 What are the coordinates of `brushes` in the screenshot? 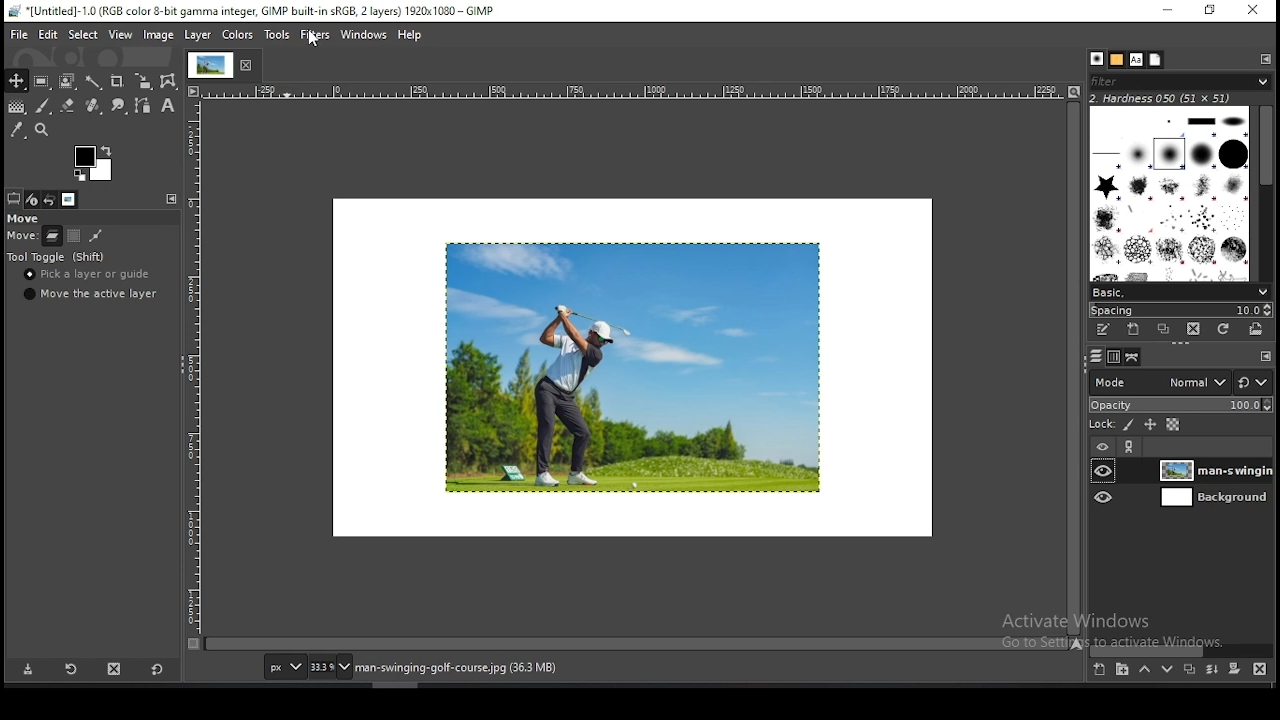 It's located at (1096, 58).